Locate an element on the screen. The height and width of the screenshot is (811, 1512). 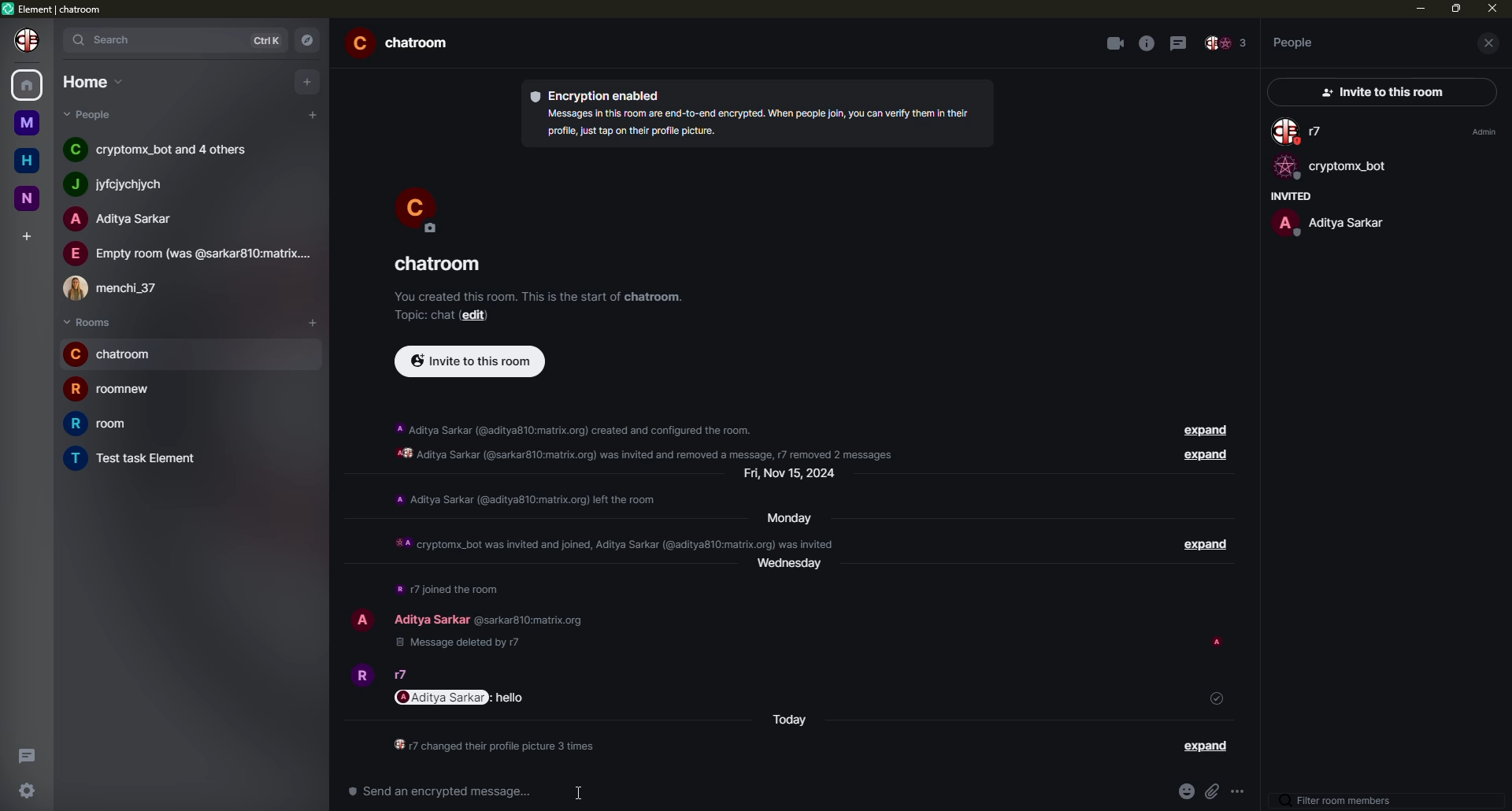
people is located at coordinates (1295, 42).